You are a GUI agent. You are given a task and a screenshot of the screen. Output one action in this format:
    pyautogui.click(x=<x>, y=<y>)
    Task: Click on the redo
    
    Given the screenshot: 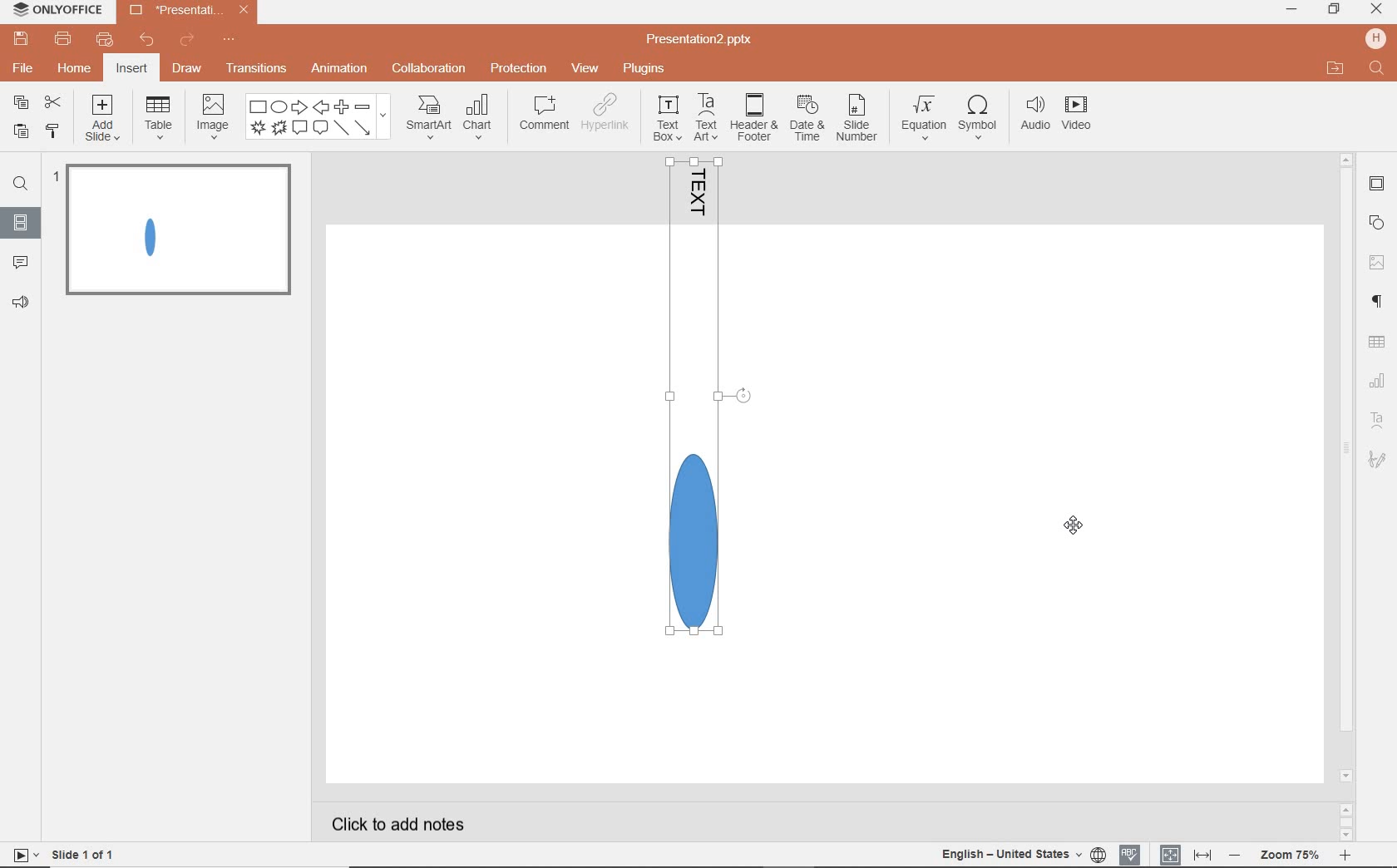 What is the action you would take?
    pyautogui.click(x=186, y=42)
    